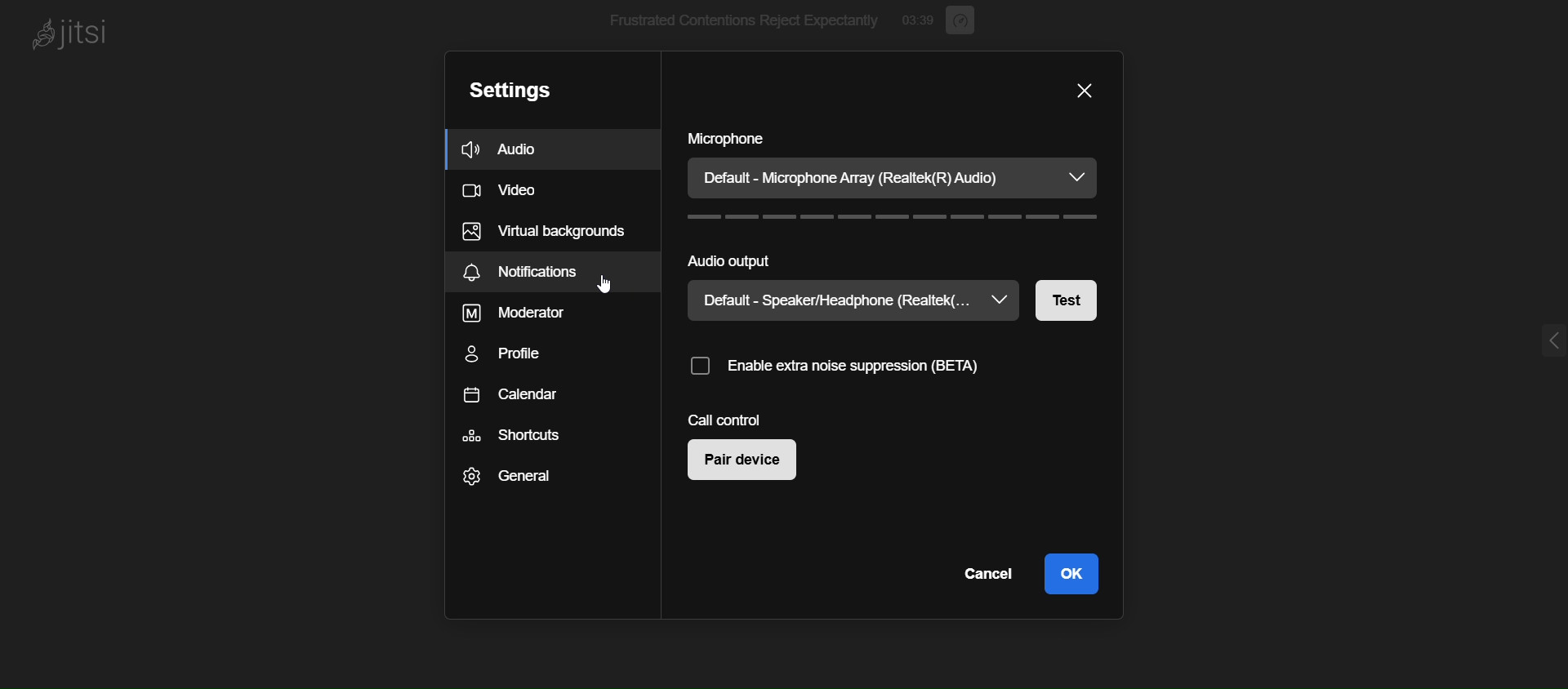 The width and height of the screenshot is (1568, 689). I want to click on performance setting, so click(962, 20).